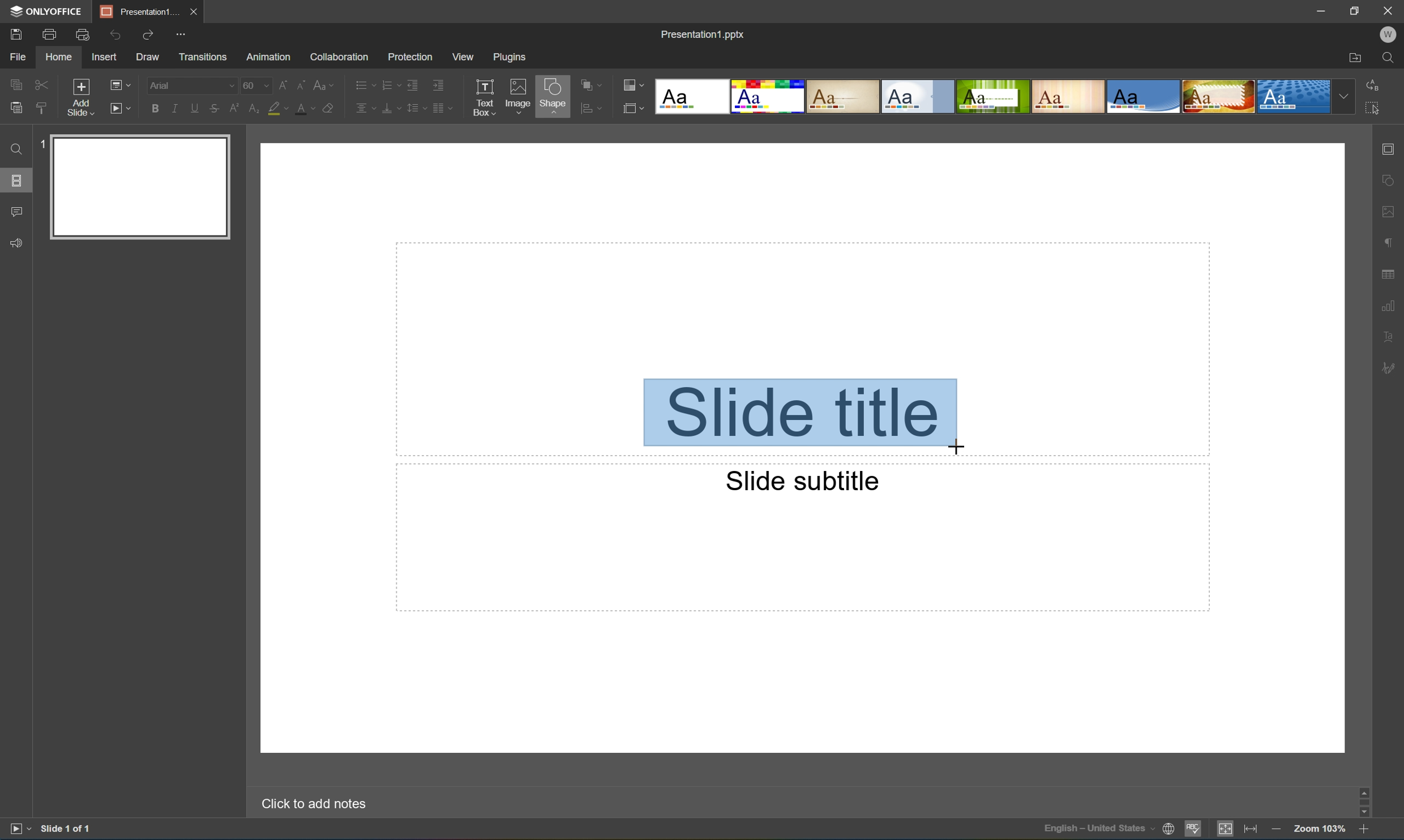 This screenshot has height=840, width=1404. What do you see at coordinates (440, 83) in the screenshot?
I see `Increase indent` at bounding box center [440, 83].